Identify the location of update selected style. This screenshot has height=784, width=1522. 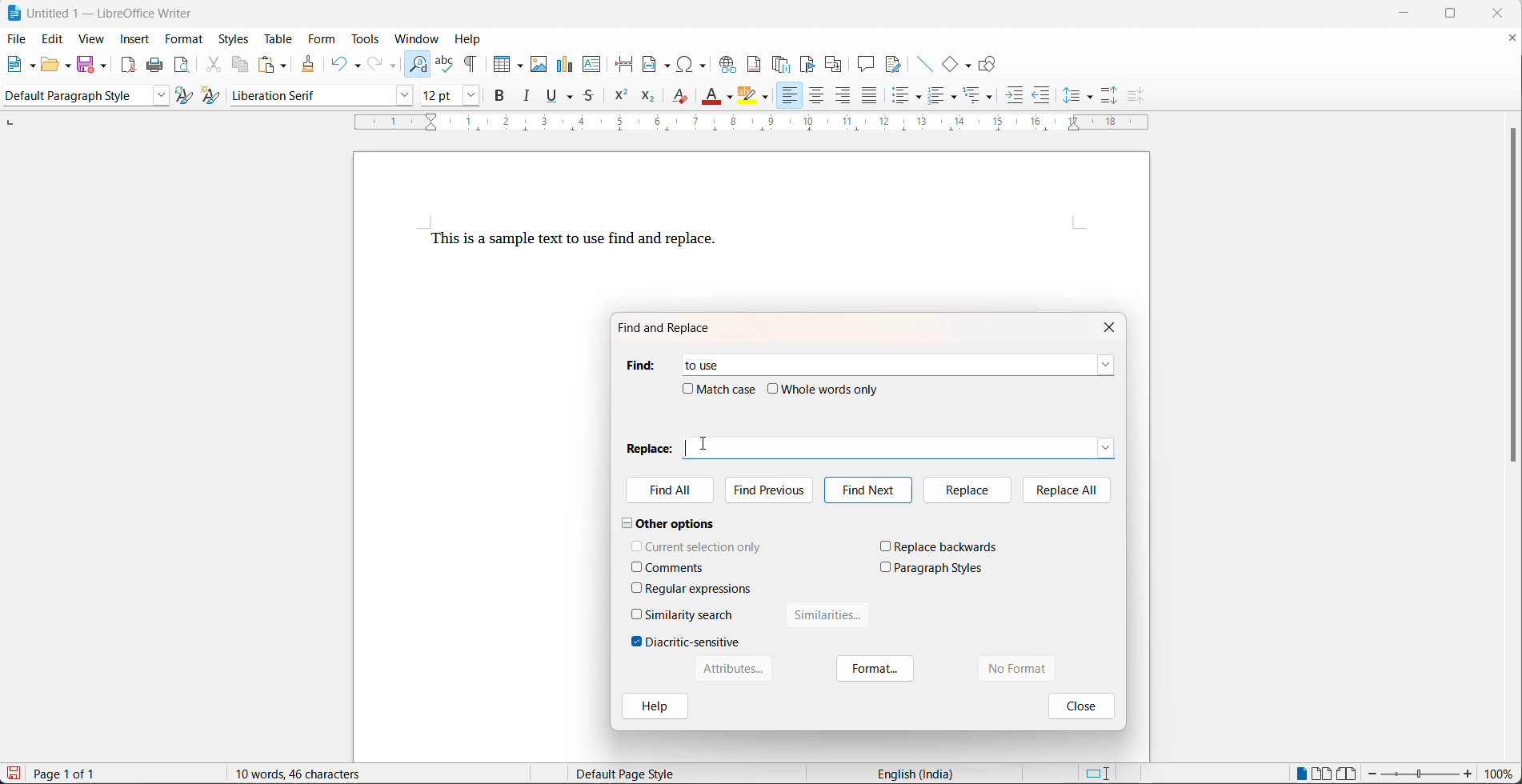
(185, 96).